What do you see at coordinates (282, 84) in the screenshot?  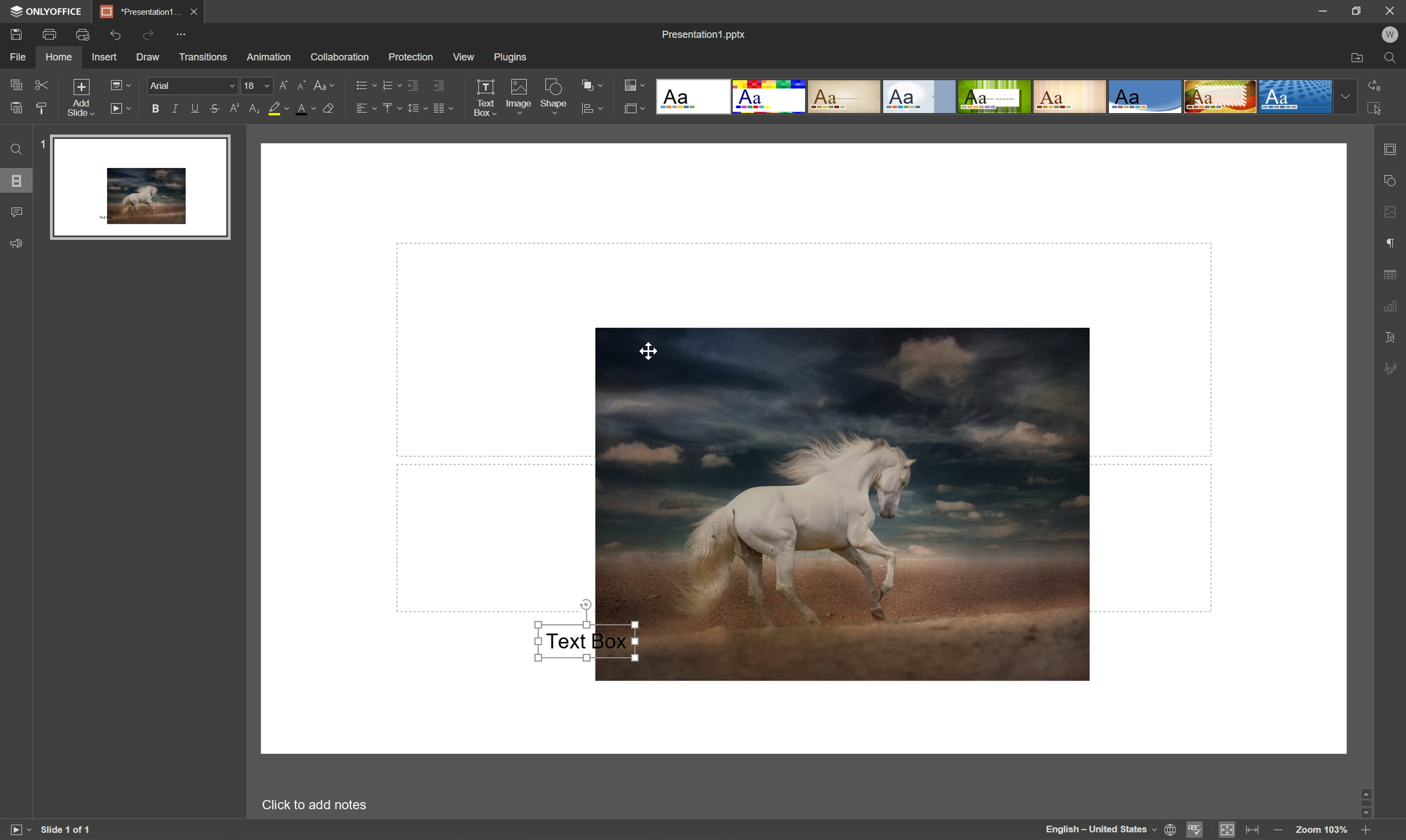 I see `Increment font size` at bounding box center [282, 84].